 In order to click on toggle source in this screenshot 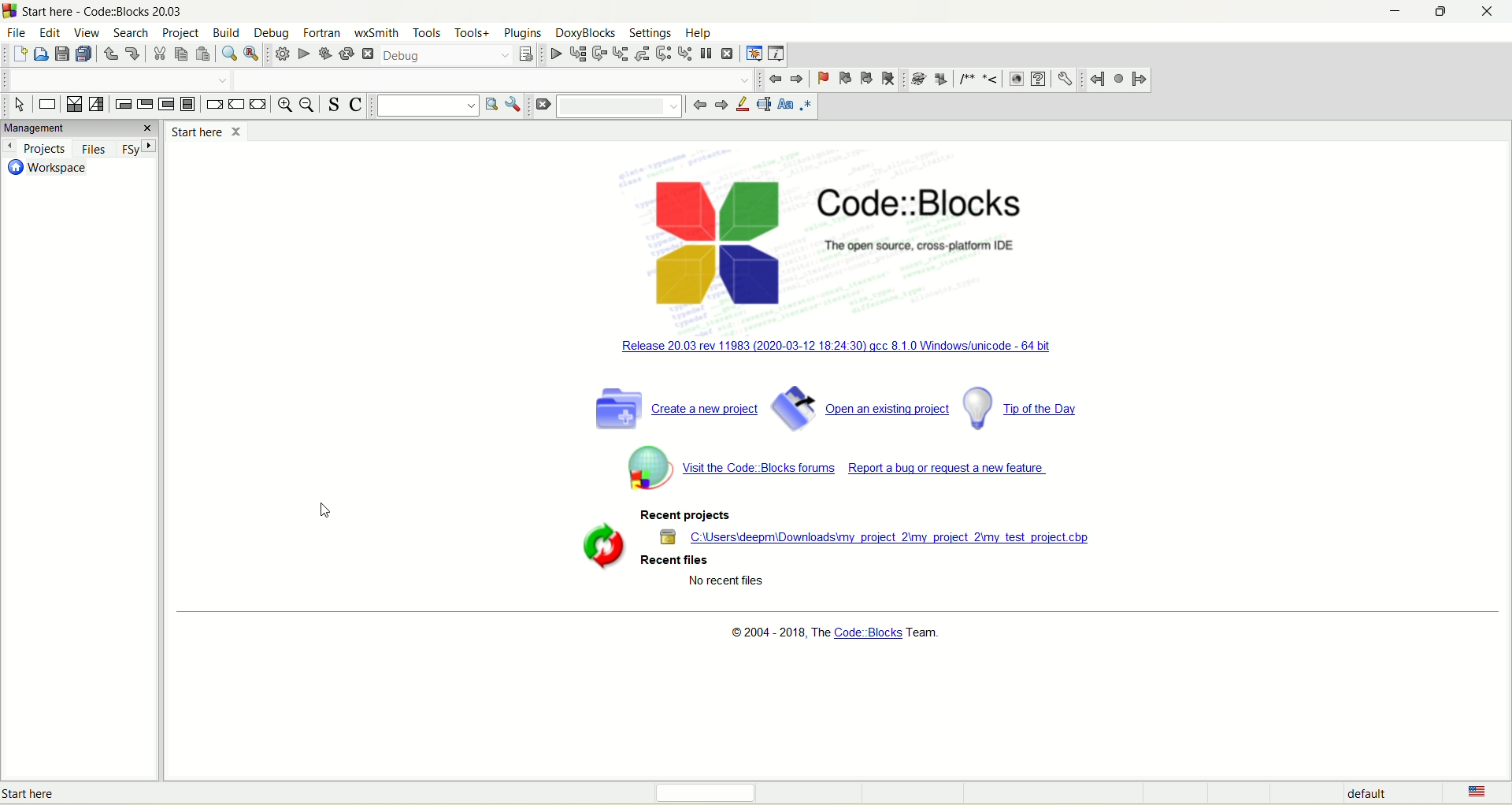, I will do `click(335, 104)`.